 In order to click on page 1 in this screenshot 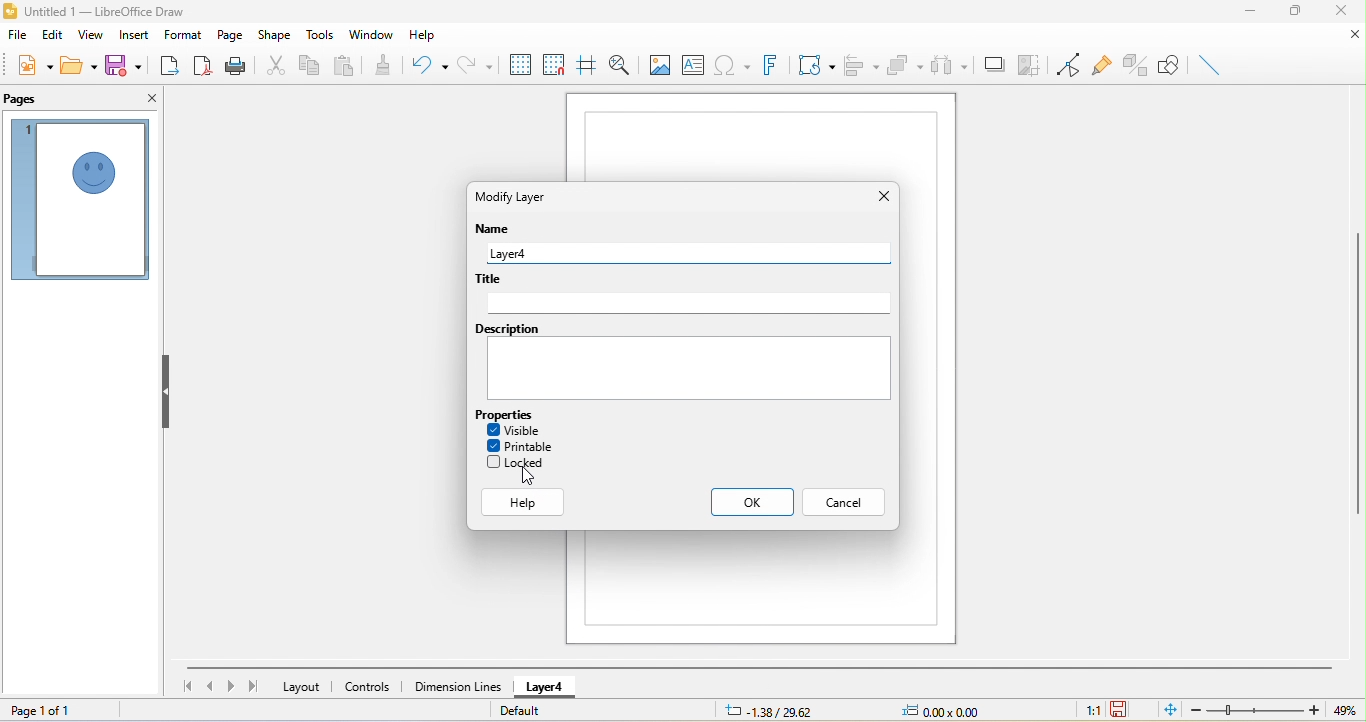, I will do `click(79, 200)`.